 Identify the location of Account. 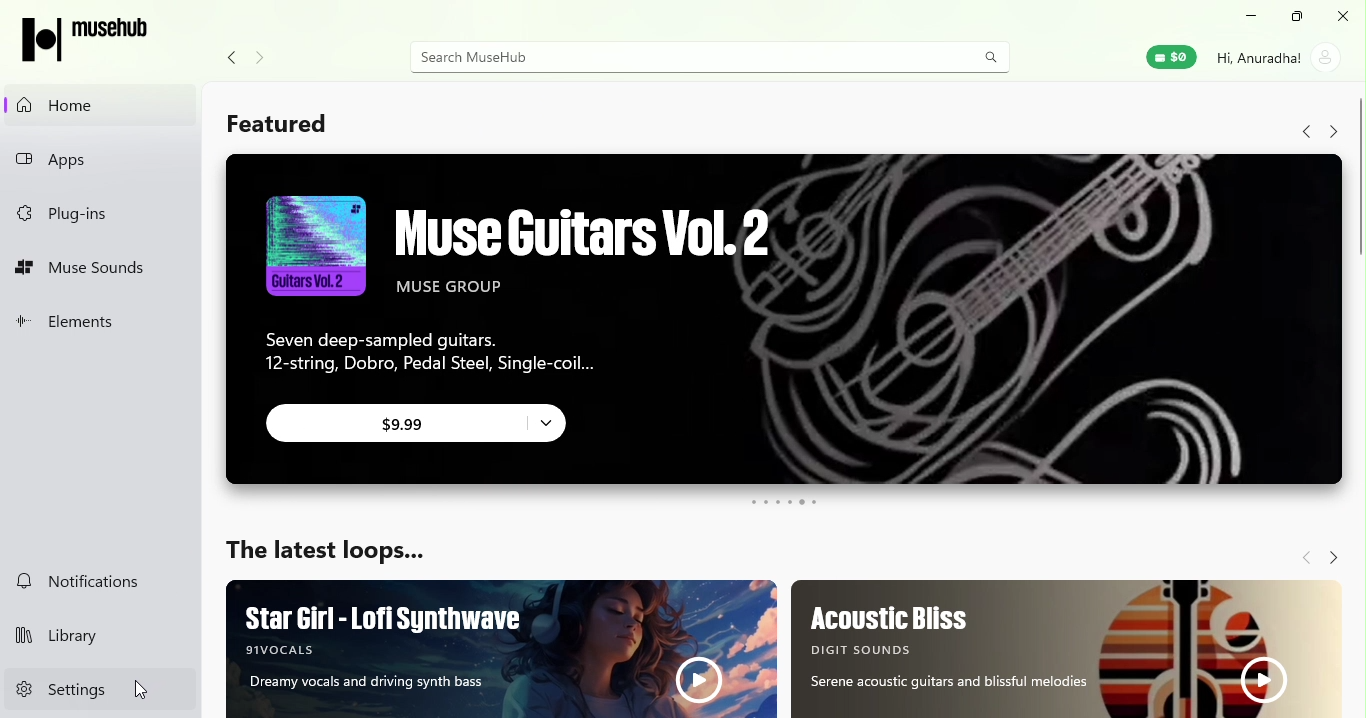
(1277, 62).